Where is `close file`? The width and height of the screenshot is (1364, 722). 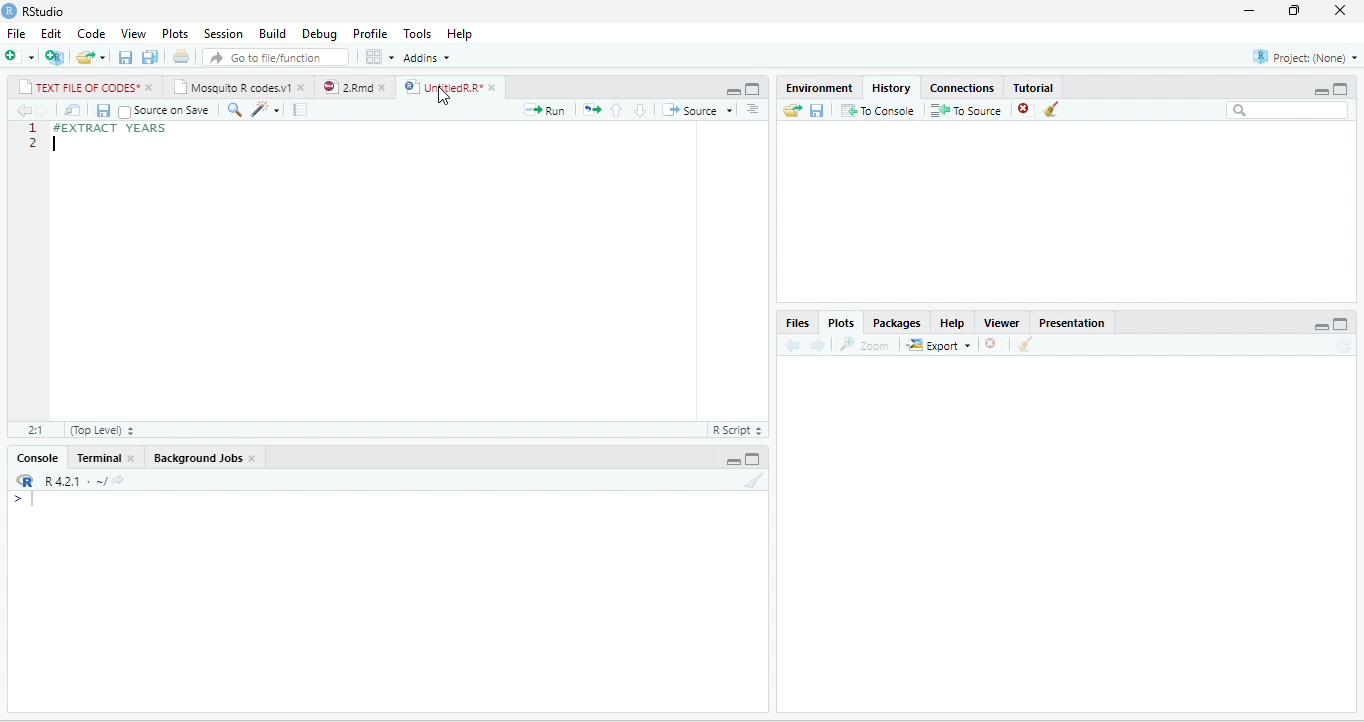
close file is located at coordinates (1026, 109).